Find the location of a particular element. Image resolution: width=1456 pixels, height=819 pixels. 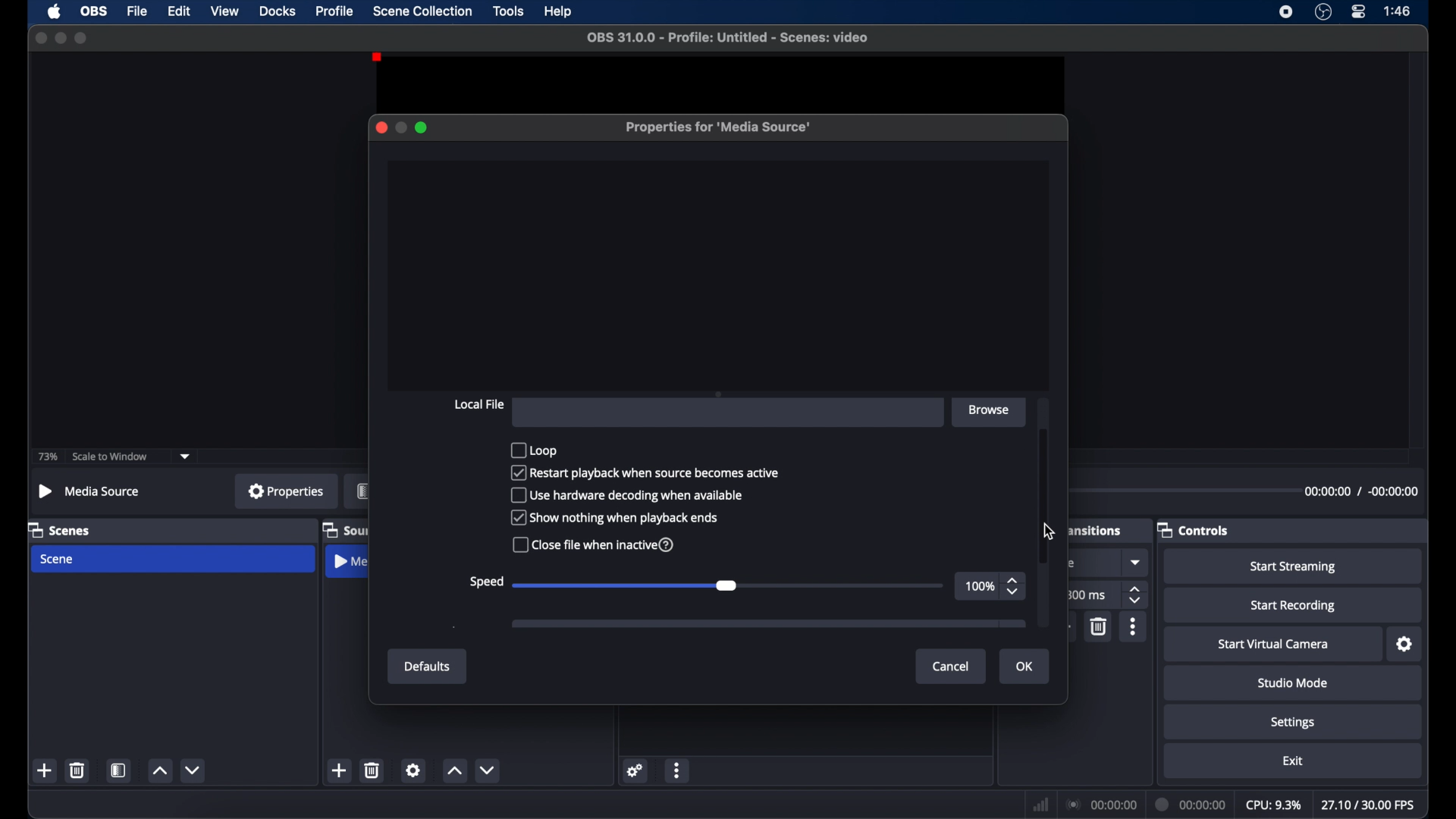

settings is located at coordinates (1405, 645).